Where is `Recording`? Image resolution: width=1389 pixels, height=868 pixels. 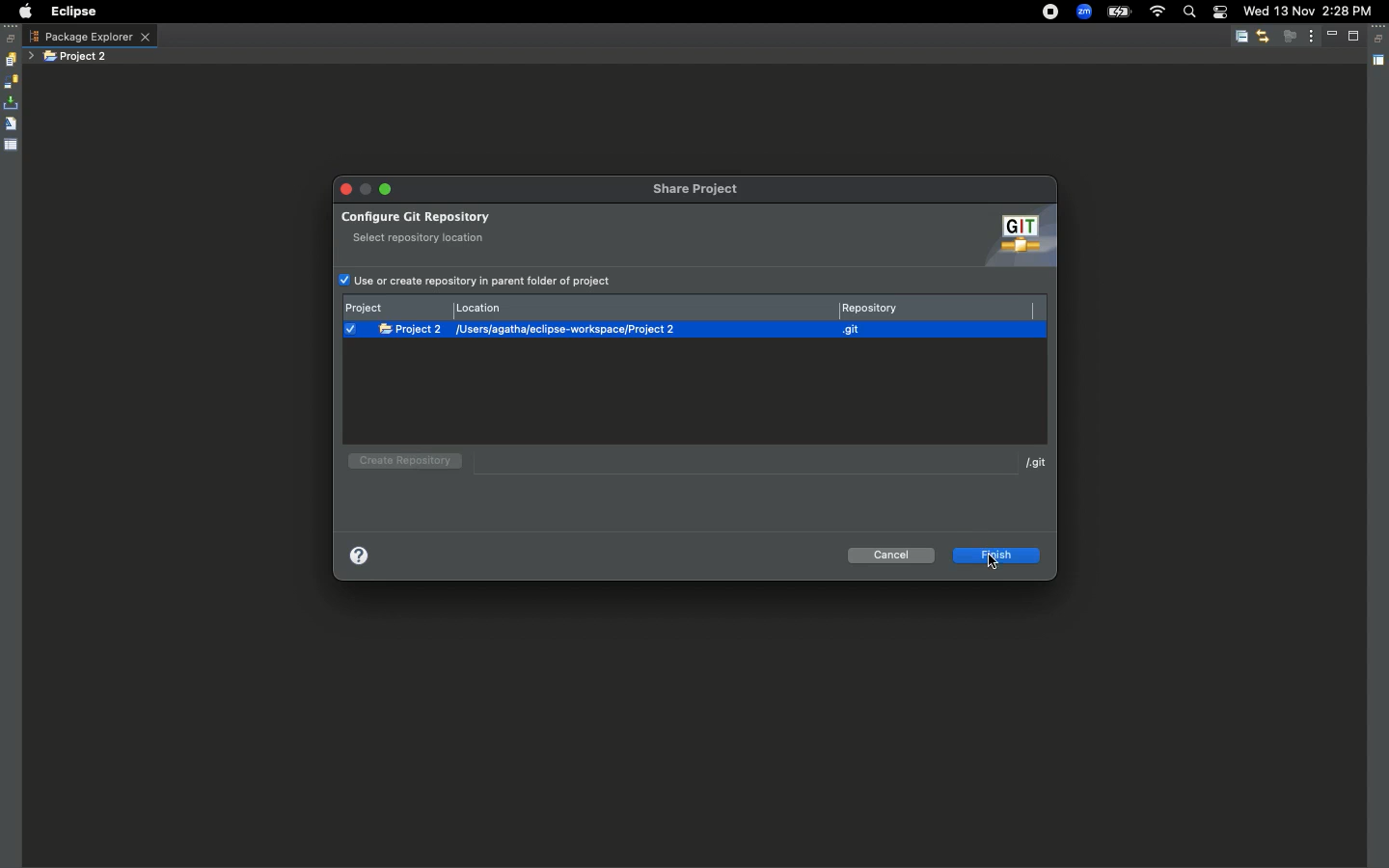
Recording is located at coordinates (1051, 12).